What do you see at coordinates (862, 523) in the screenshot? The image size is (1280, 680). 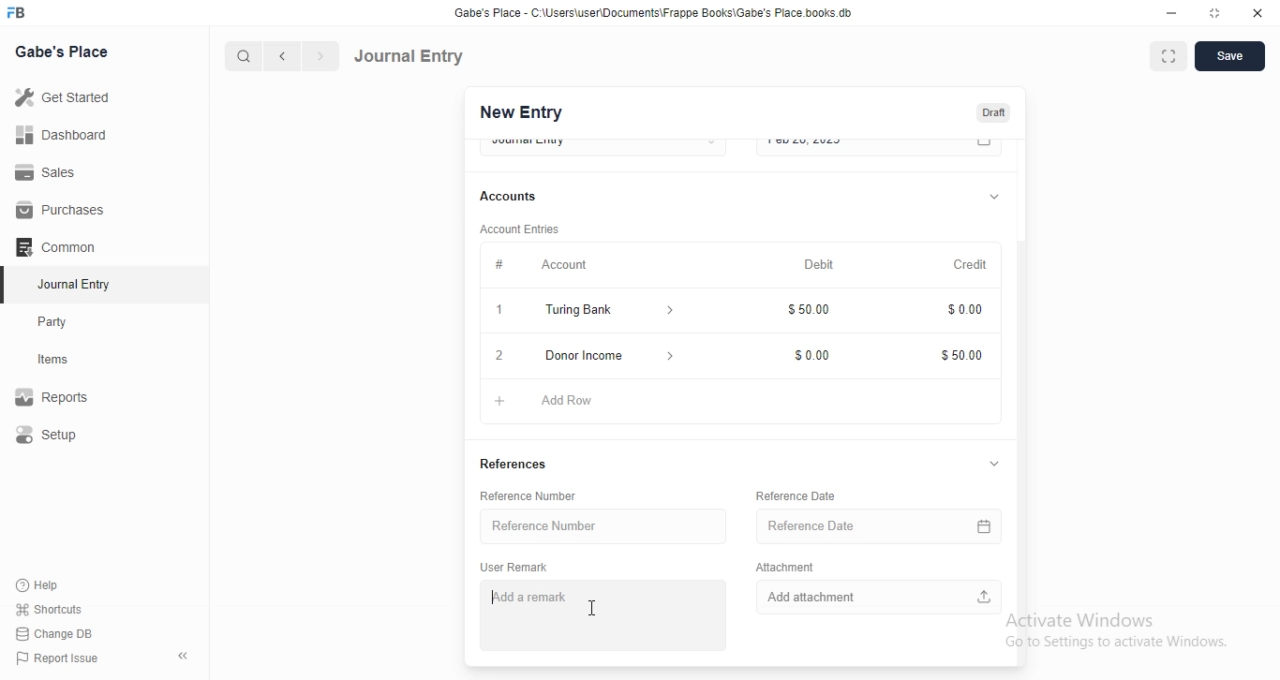 I see `Reference Date` at bounding box center [862, 523].